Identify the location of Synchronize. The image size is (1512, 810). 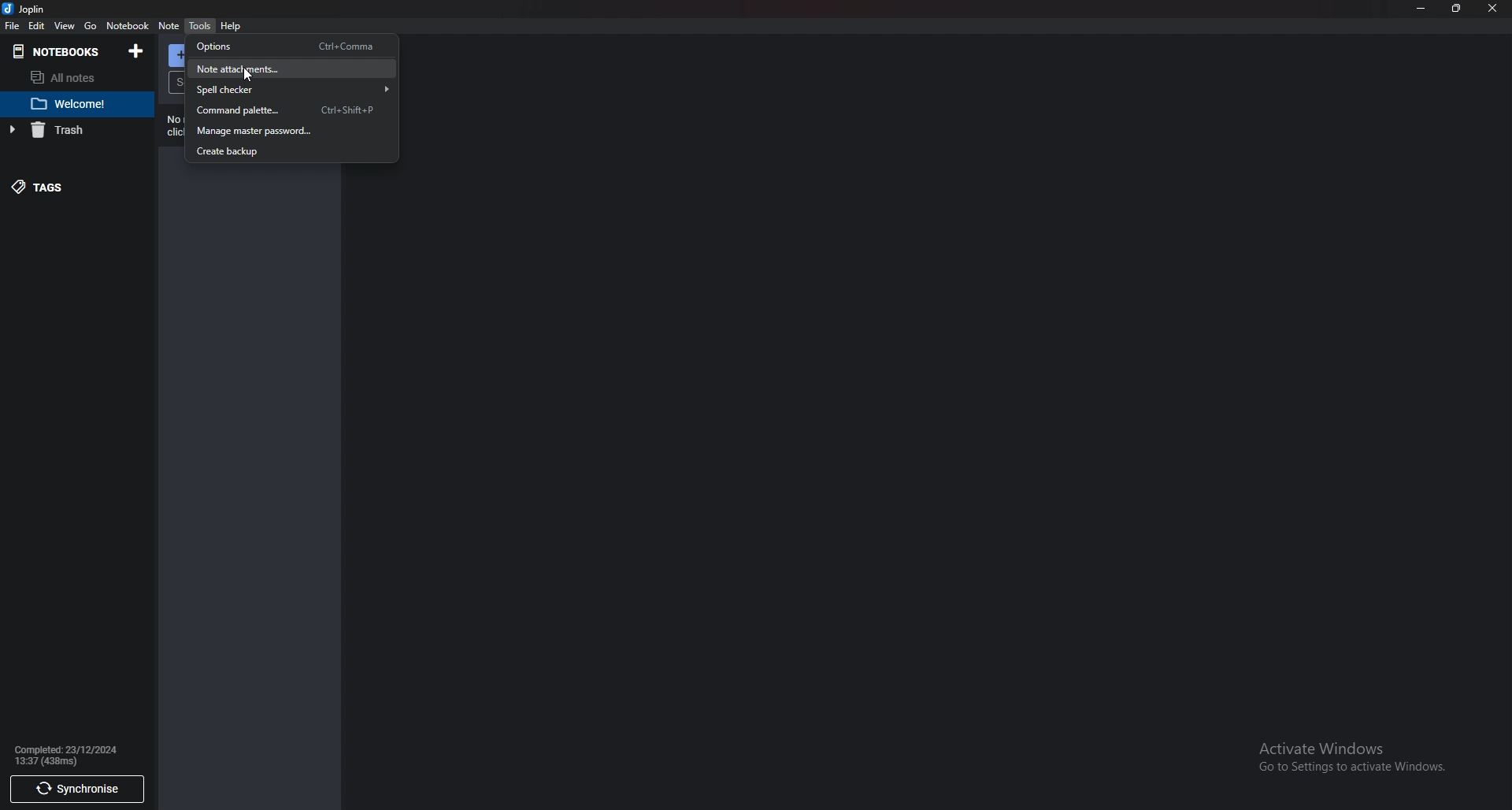
(76, 790).